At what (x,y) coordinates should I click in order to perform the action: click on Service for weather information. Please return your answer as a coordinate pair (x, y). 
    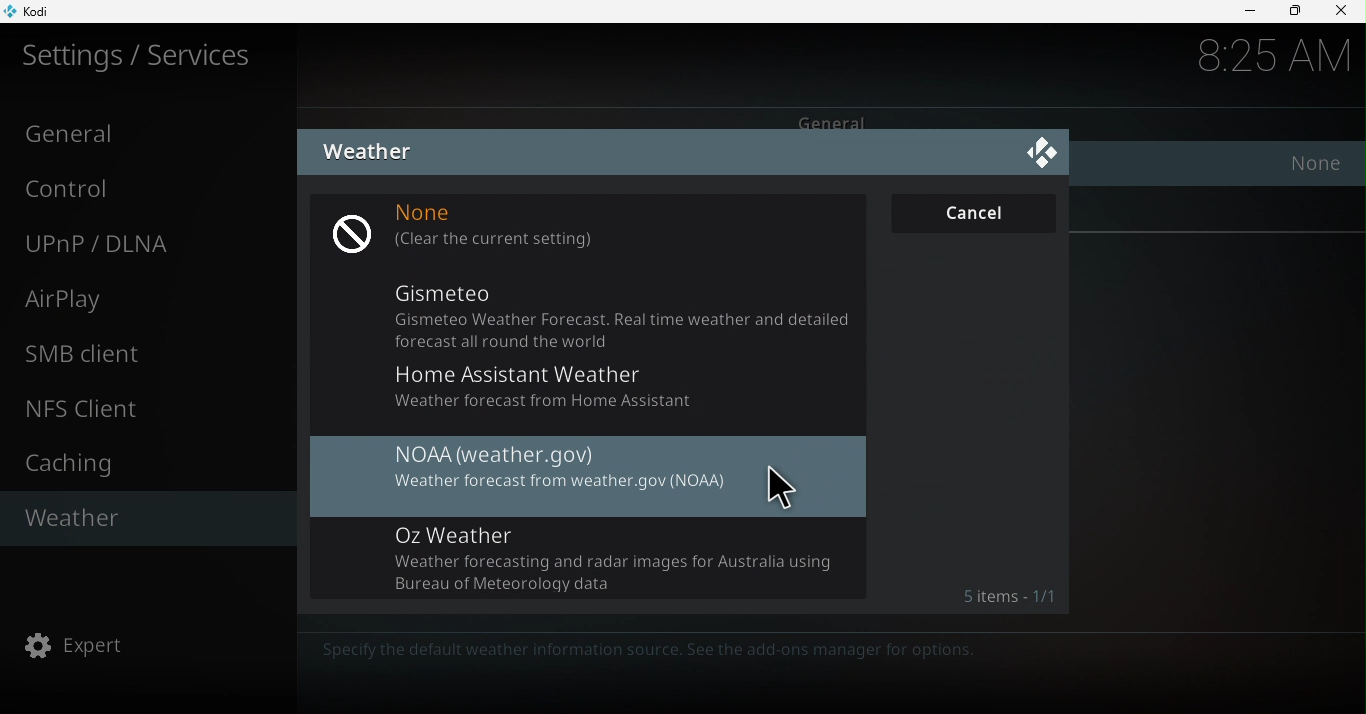
    Looking at the image, I should click on (1229, 162).